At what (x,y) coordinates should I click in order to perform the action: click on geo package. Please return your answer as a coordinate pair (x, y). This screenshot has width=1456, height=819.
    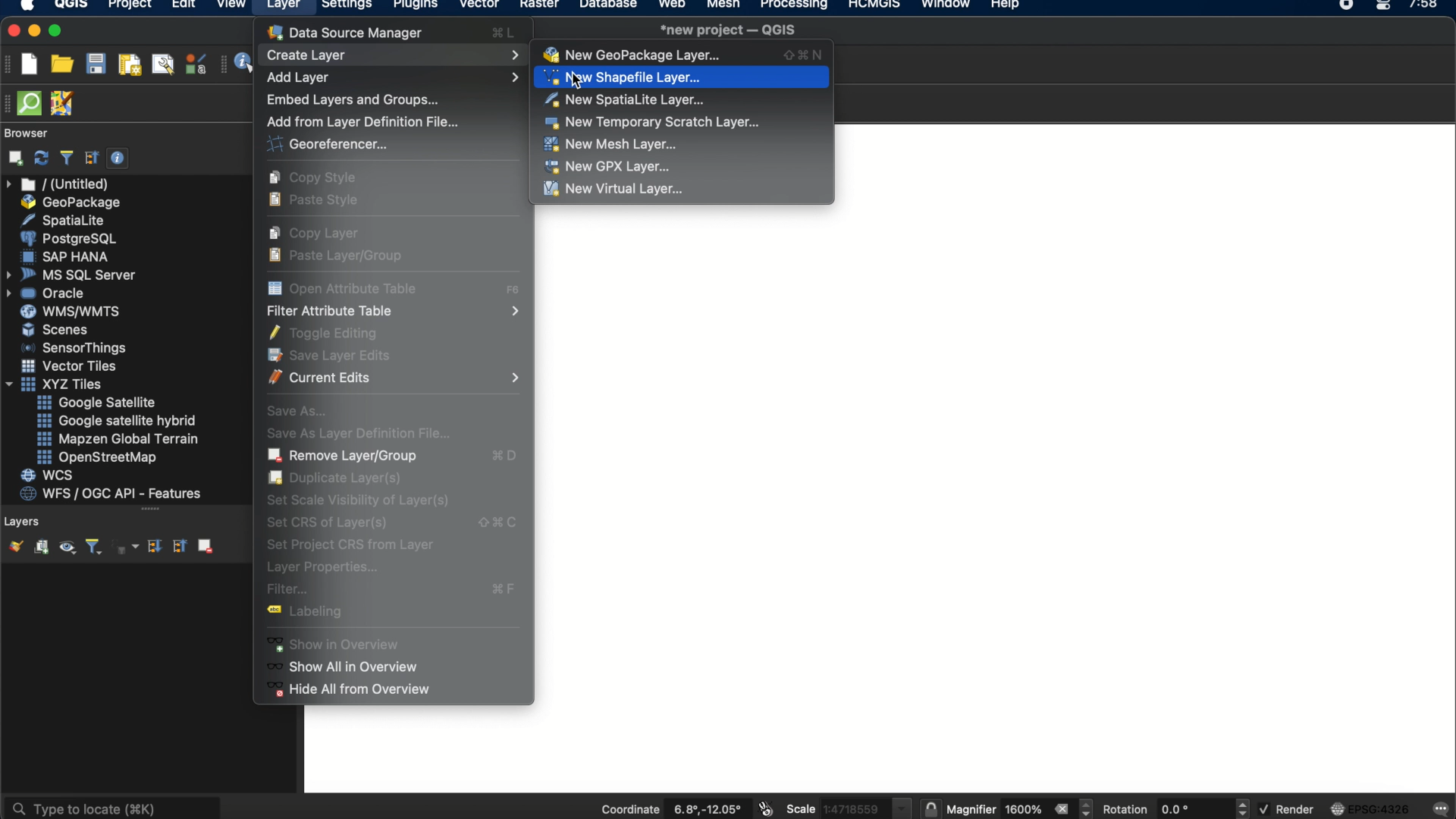
    Looking at the image, I should click on (69, 203).